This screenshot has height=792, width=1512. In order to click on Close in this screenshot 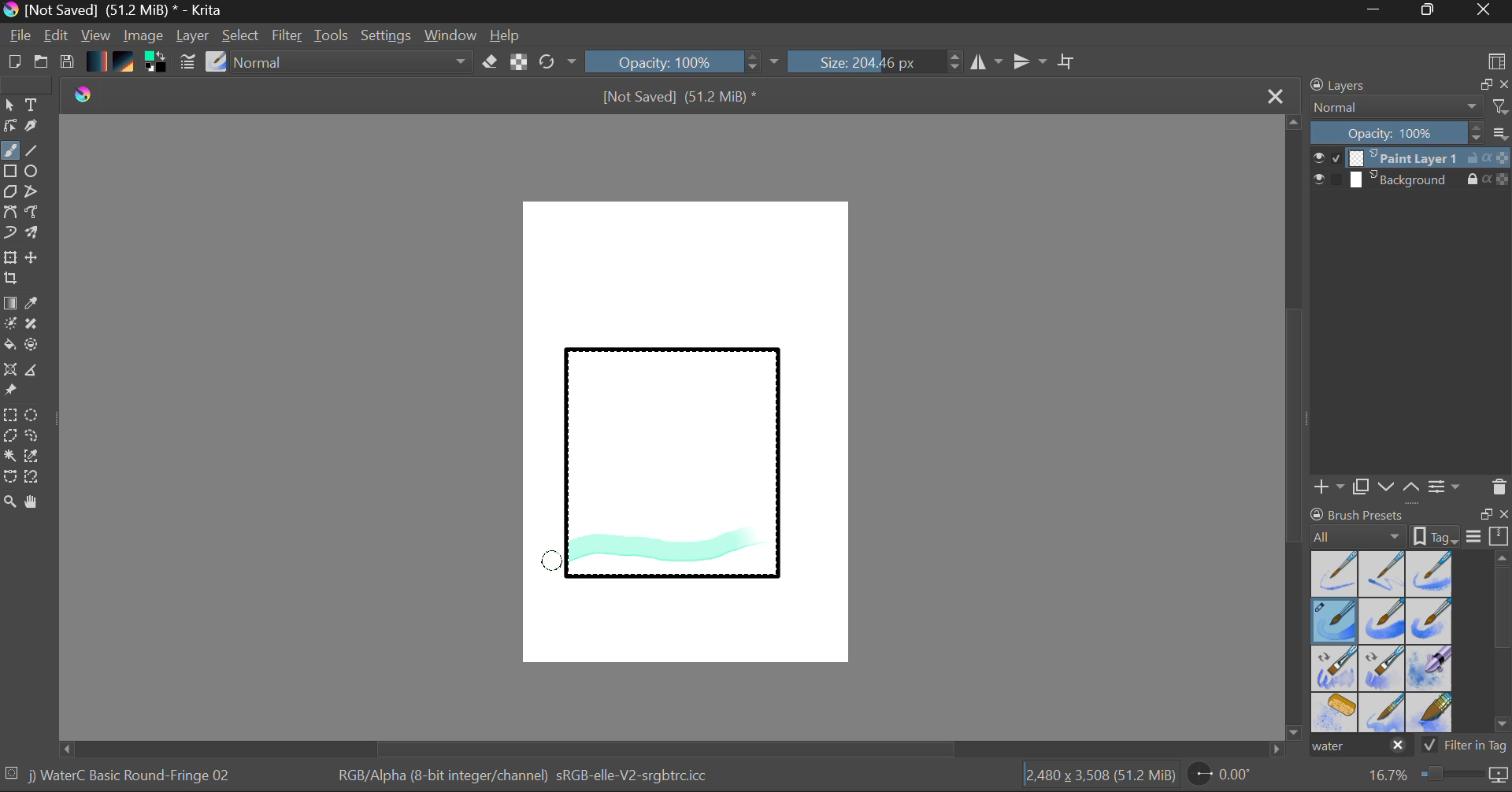, I will do `click(1277, 95)`.